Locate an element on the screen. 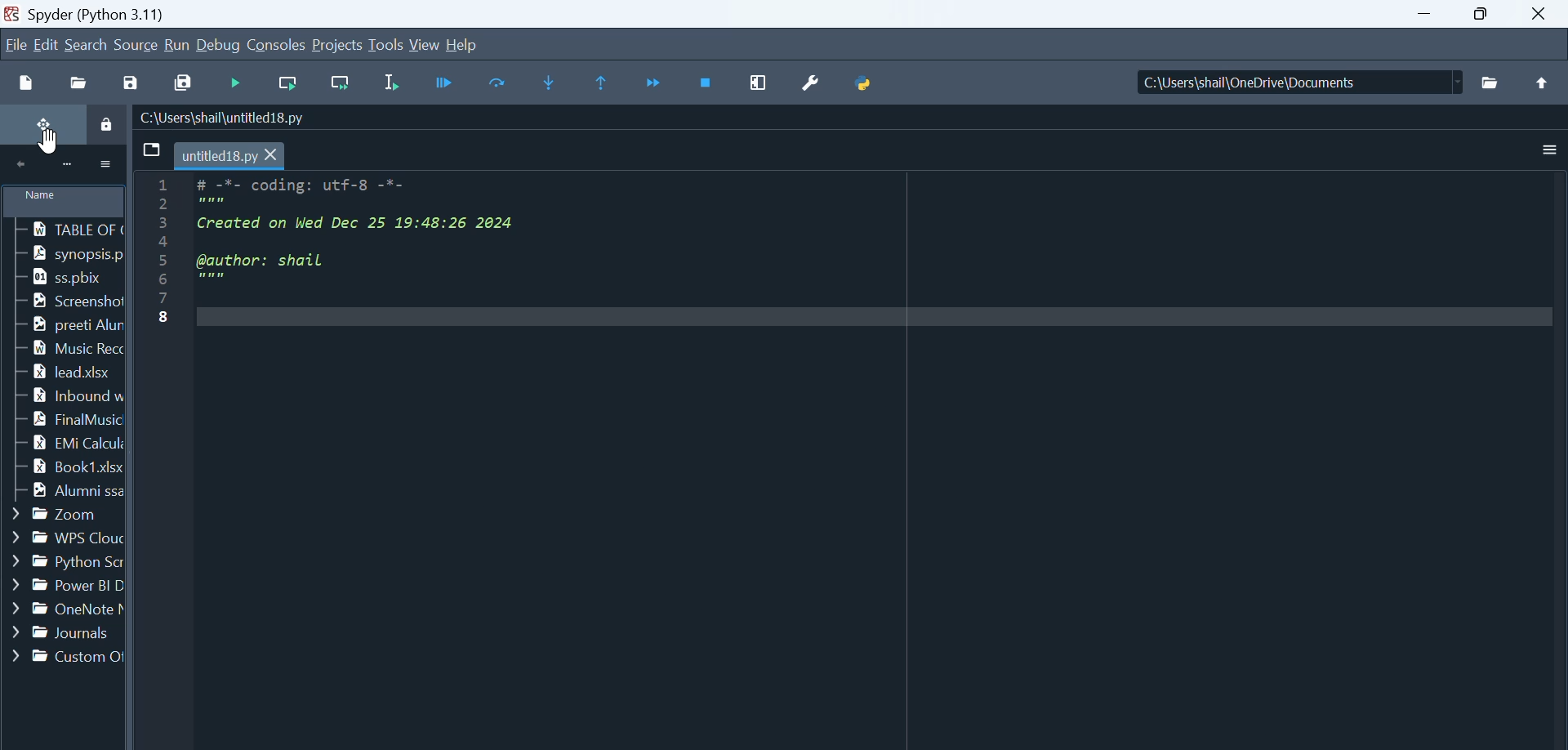 The width and height of the screenshot is (1568, 750). Zoom is located at coordinates (62, 515).